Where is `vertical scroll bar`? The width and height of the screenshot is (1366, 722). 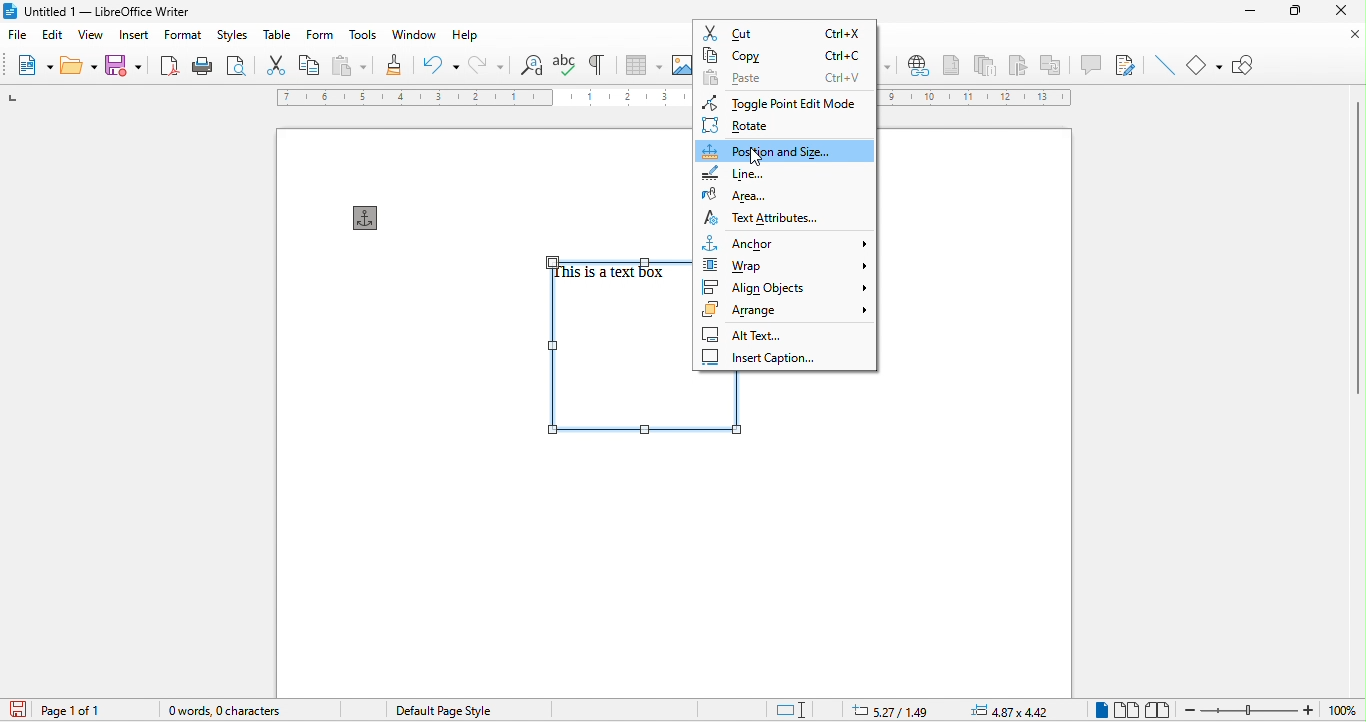 vertical scroll bar is located at coordinates (1355, 248).